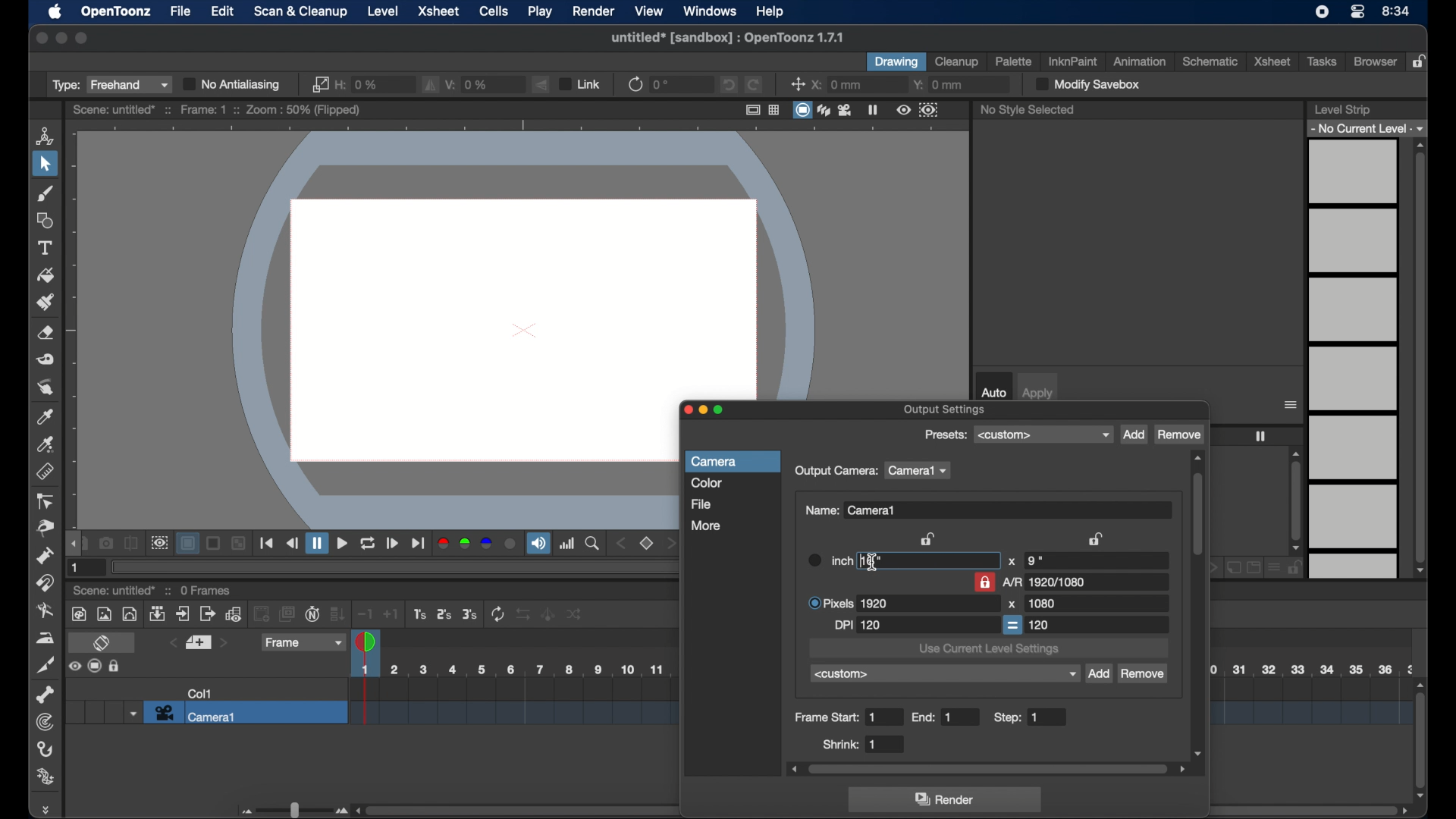  Describe the element at coordinates (706, 525) in the screenshot. I see `more` at that location.